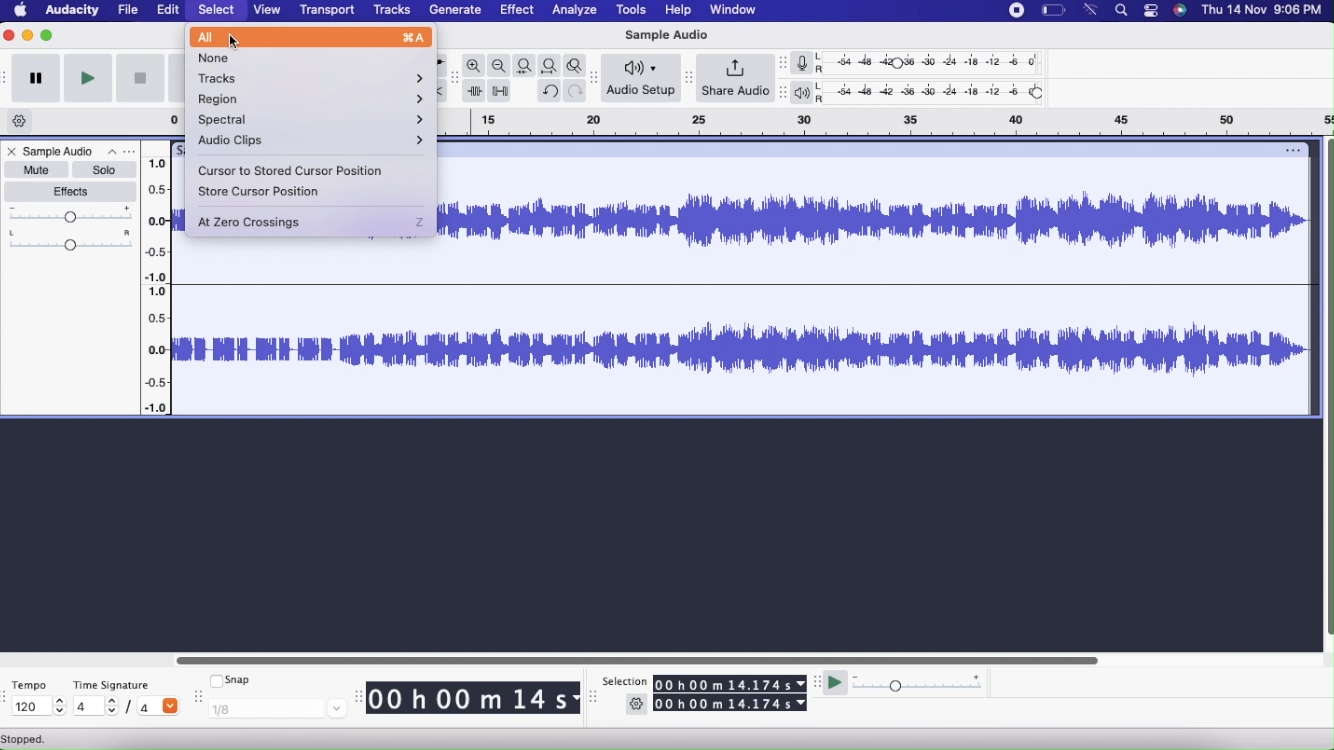 The image size is (1334, 750). Describe the element at coordinates (33, 741) in the screenshot. I see `Stopped` at that location.